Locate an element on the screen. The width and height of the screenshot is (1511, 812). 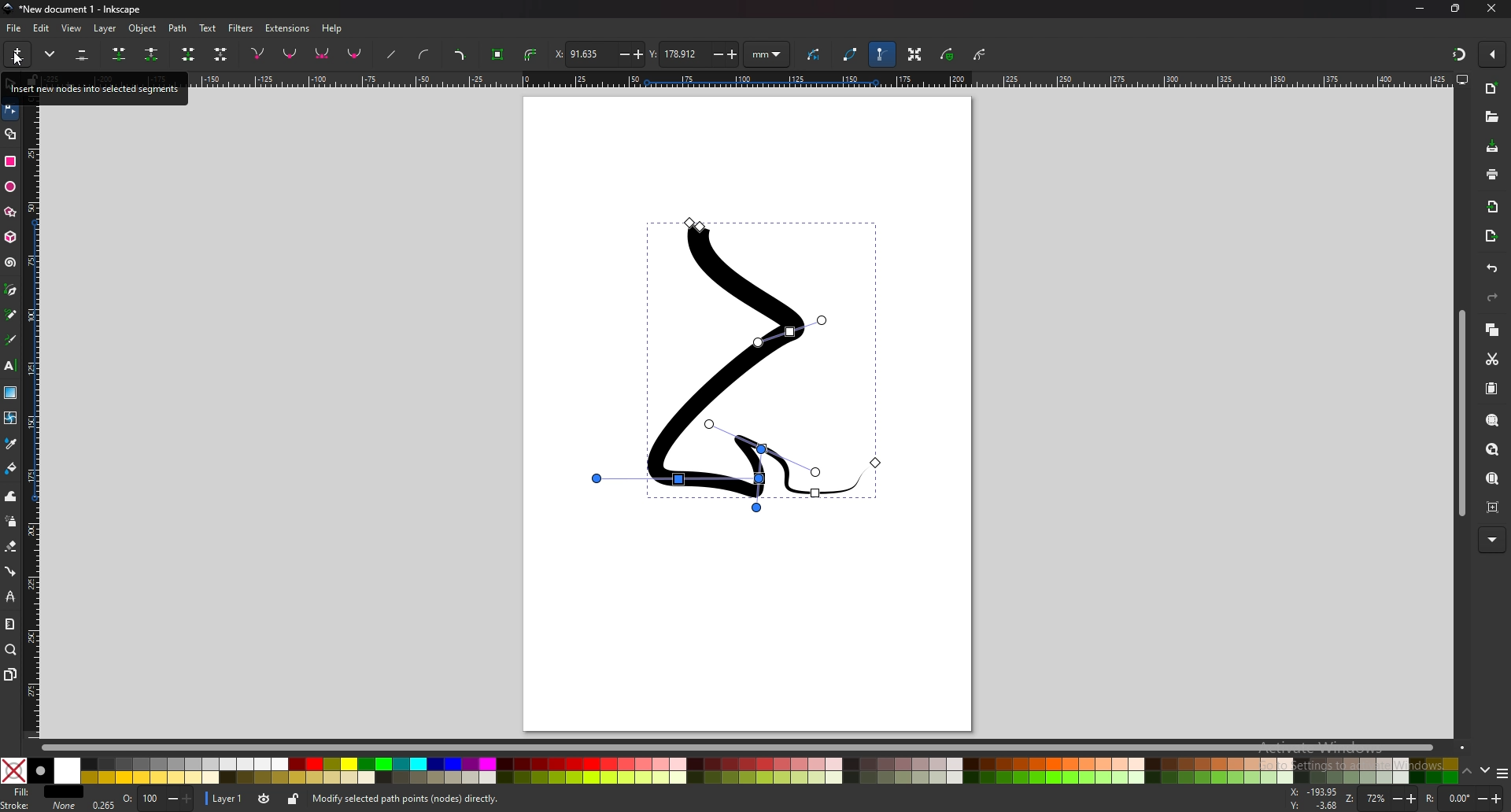
add curve handles is located at coordinates (427, 54).